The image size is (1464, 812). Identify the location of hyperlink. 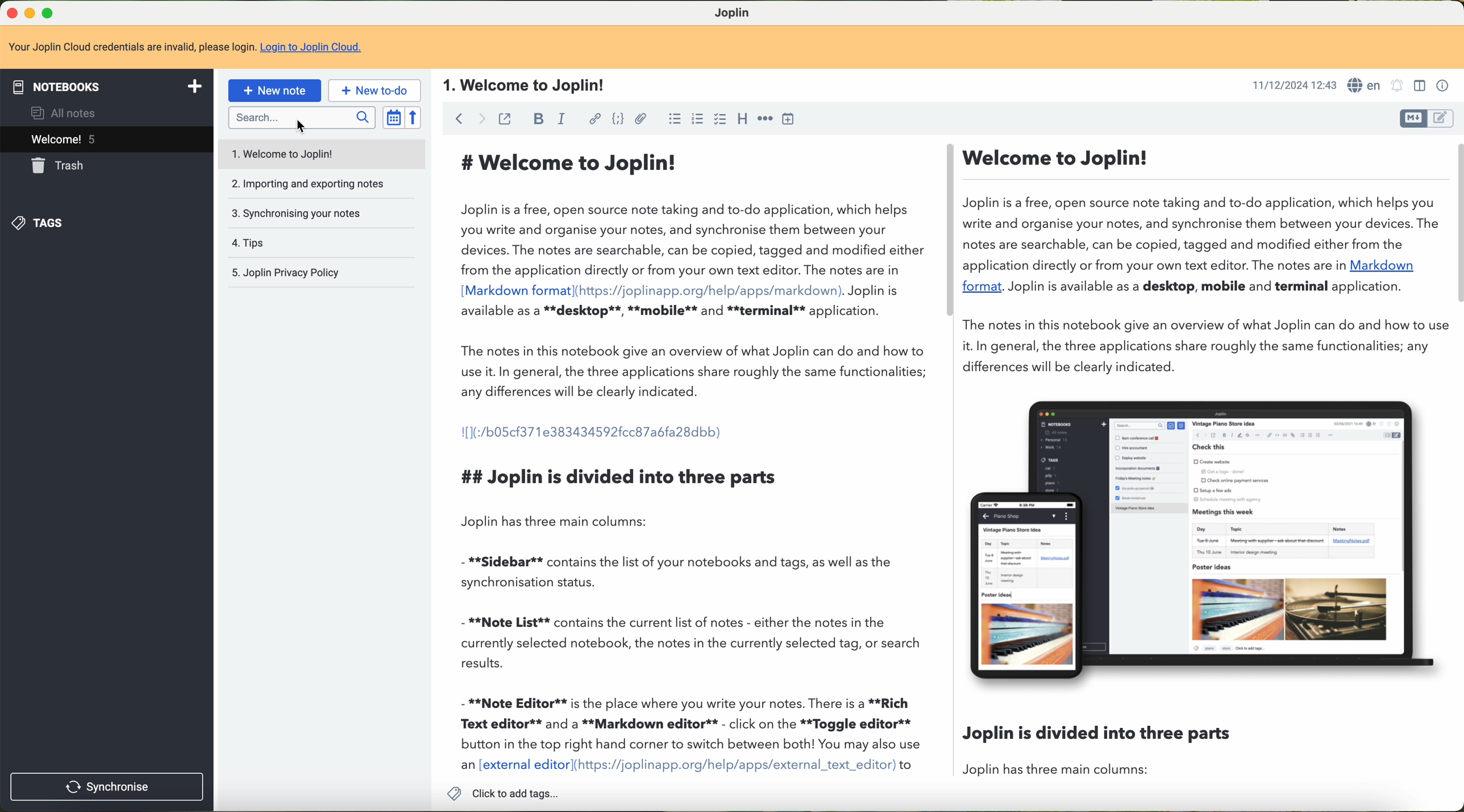
(593, 120).